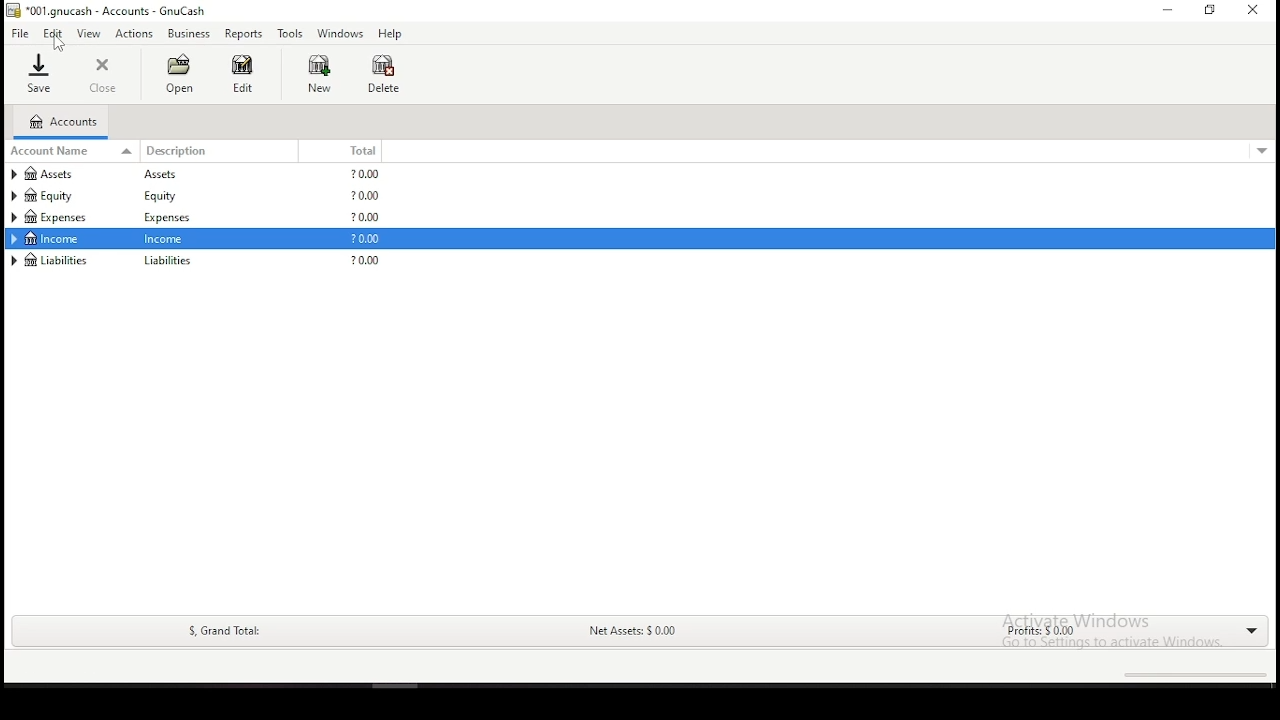  Describe the element at coordinates (67, 217) in the screenshot. I see `expenses` at that location.